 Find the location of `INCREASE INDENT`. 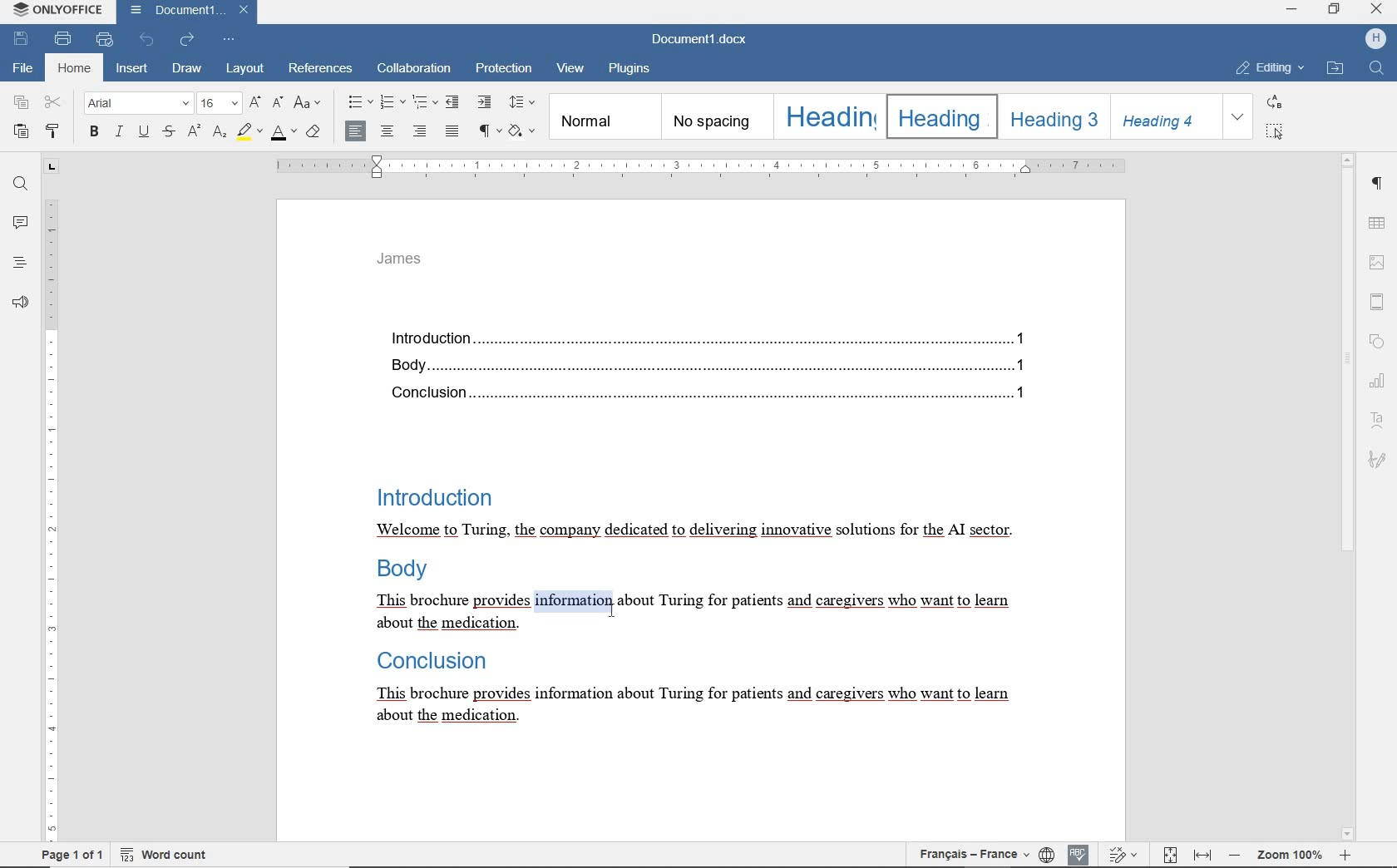

INCREASE INDENT is located at coordinates (486, 102).